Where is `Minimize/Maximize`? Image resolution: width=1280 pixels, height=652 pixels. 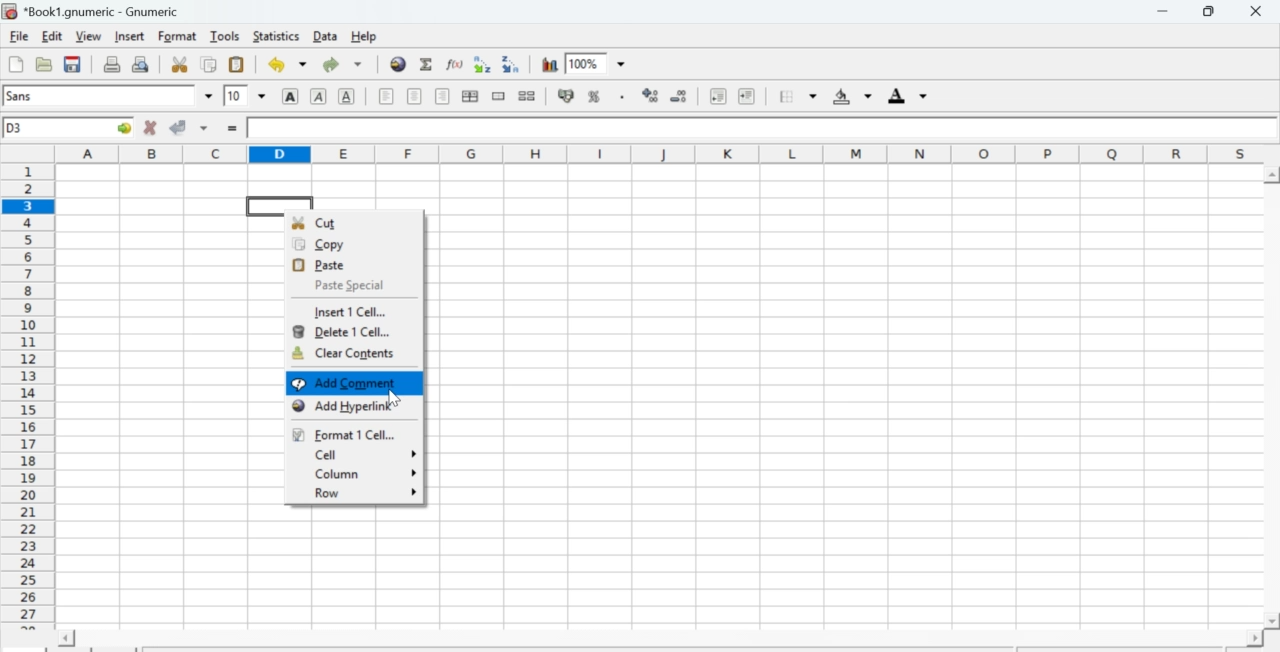
Minimize/Maximize is located at coordinates (1210, 12).